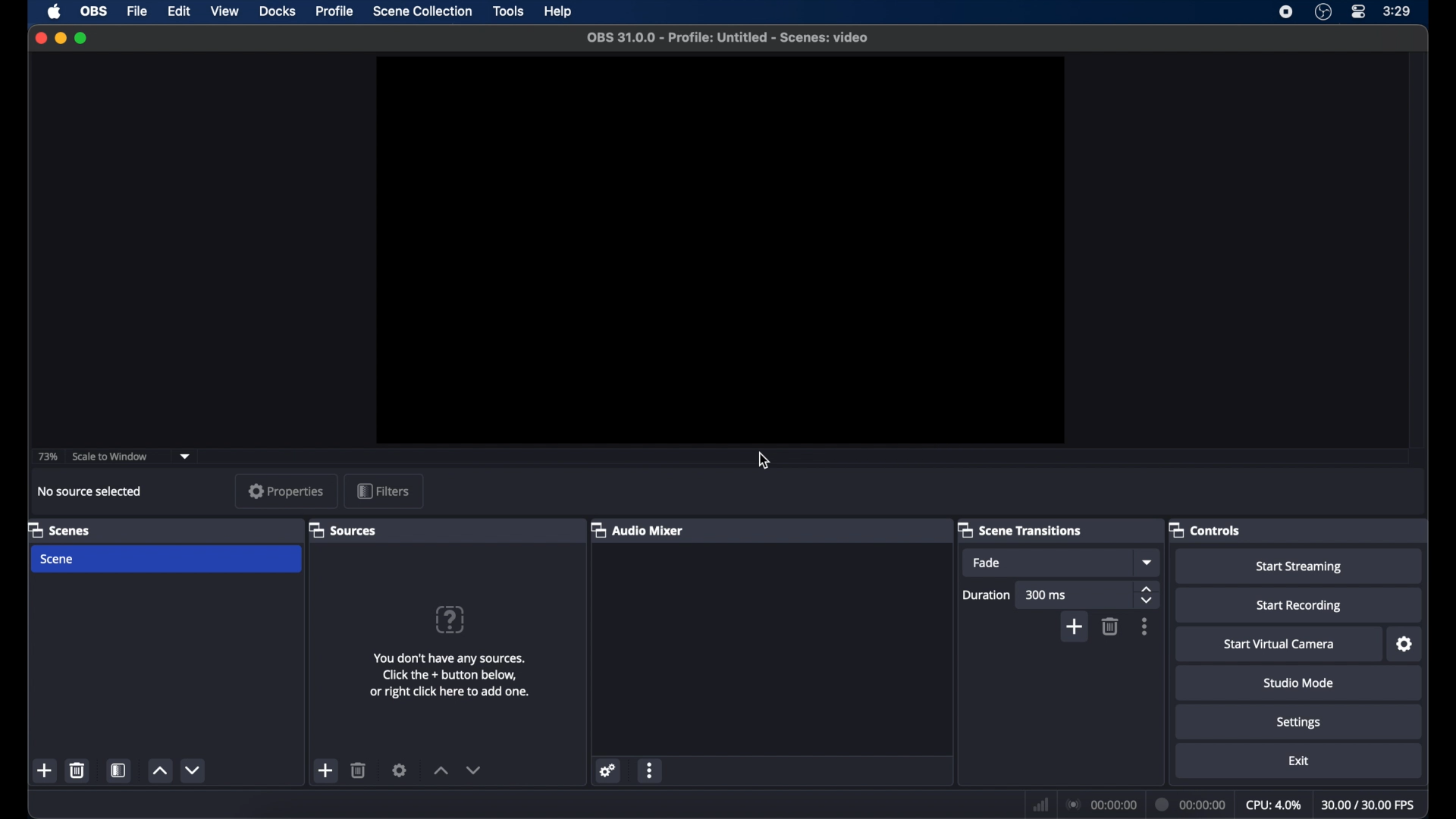 This screenshot has width=1456, height=819. I want to click on info, so click(450, 675).